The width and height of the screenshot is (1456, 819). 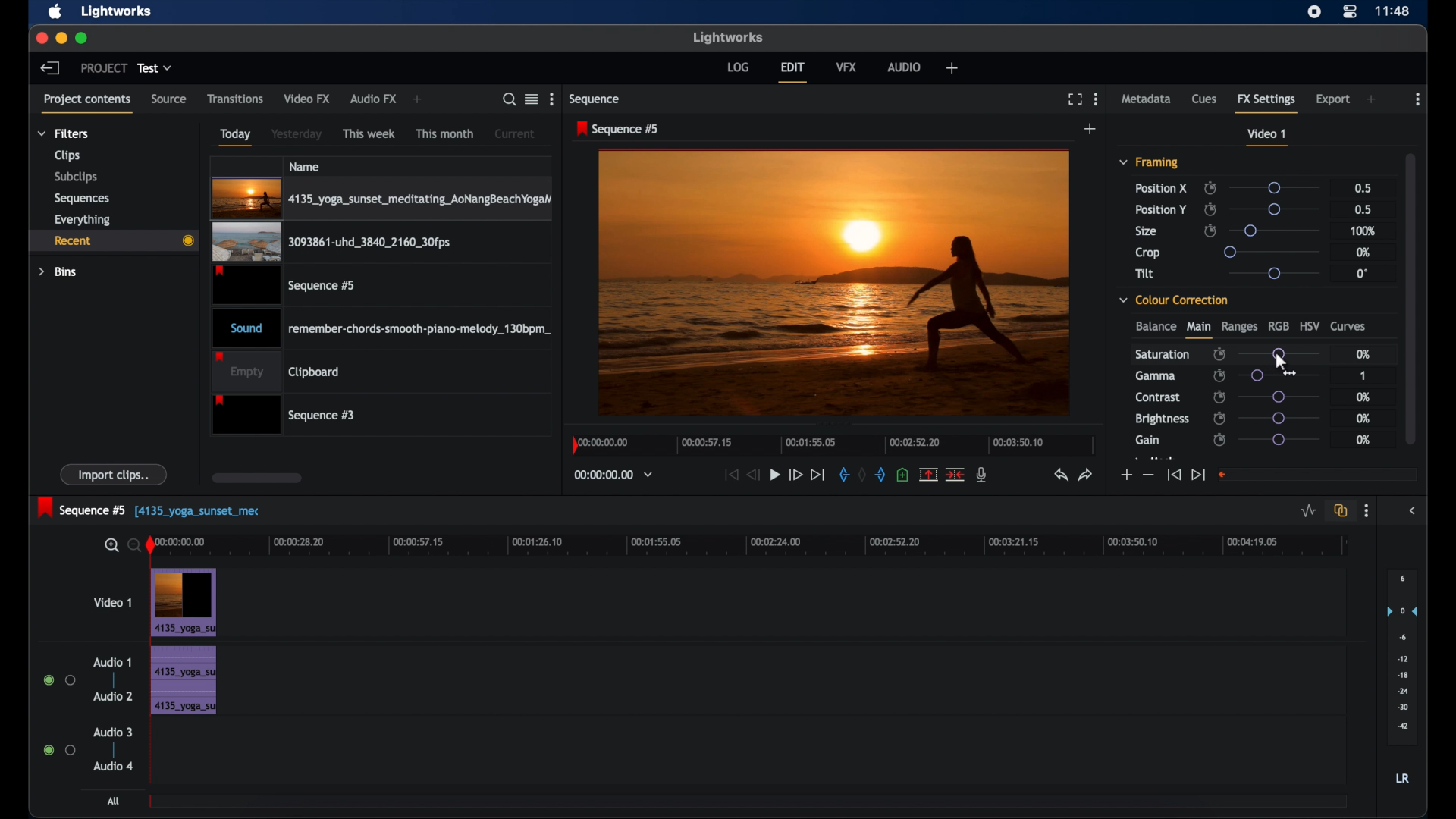 I want to click on 0.5, so click(x=1361, y=187).